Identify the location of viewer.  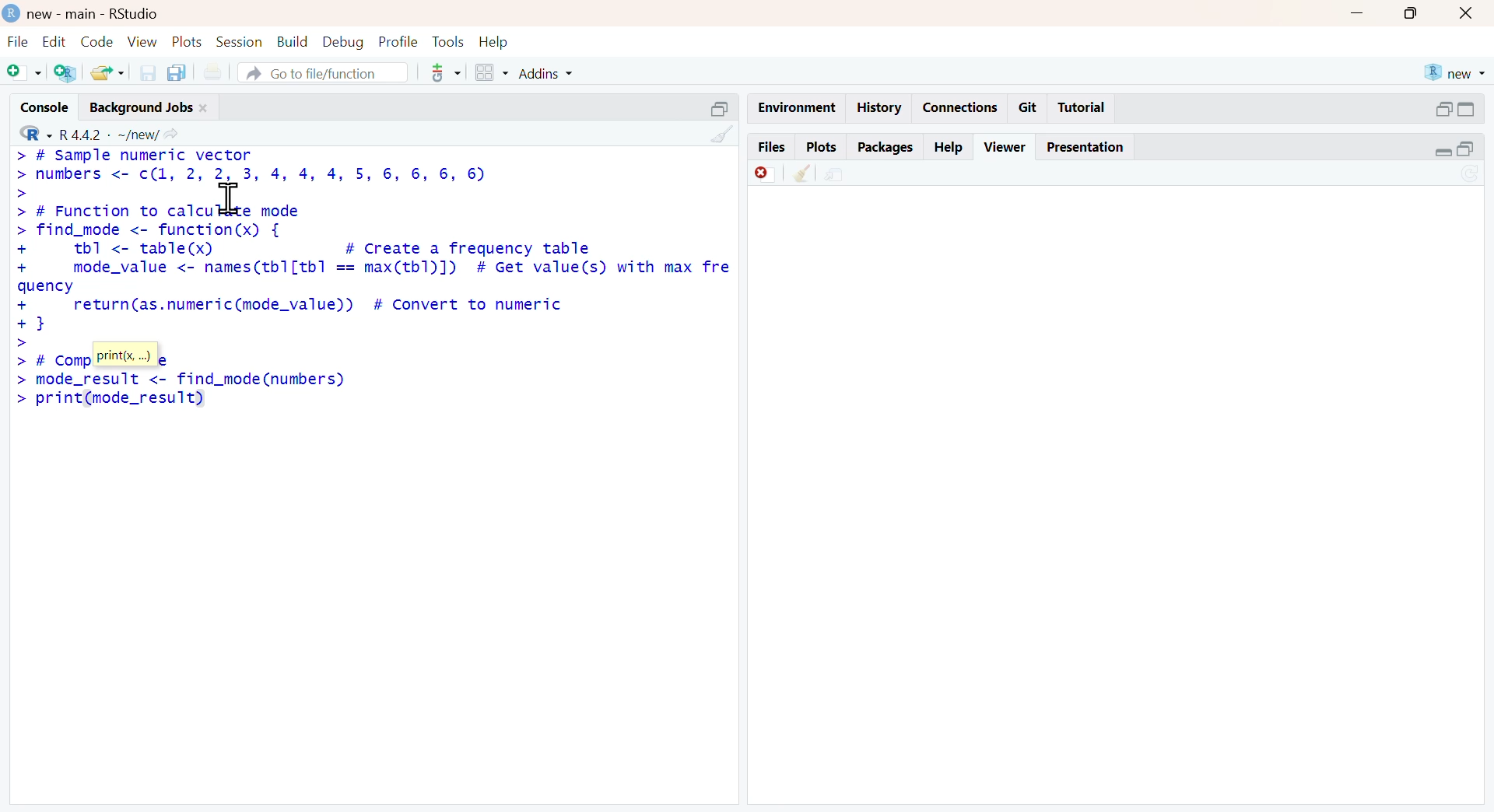
(1005, 147).